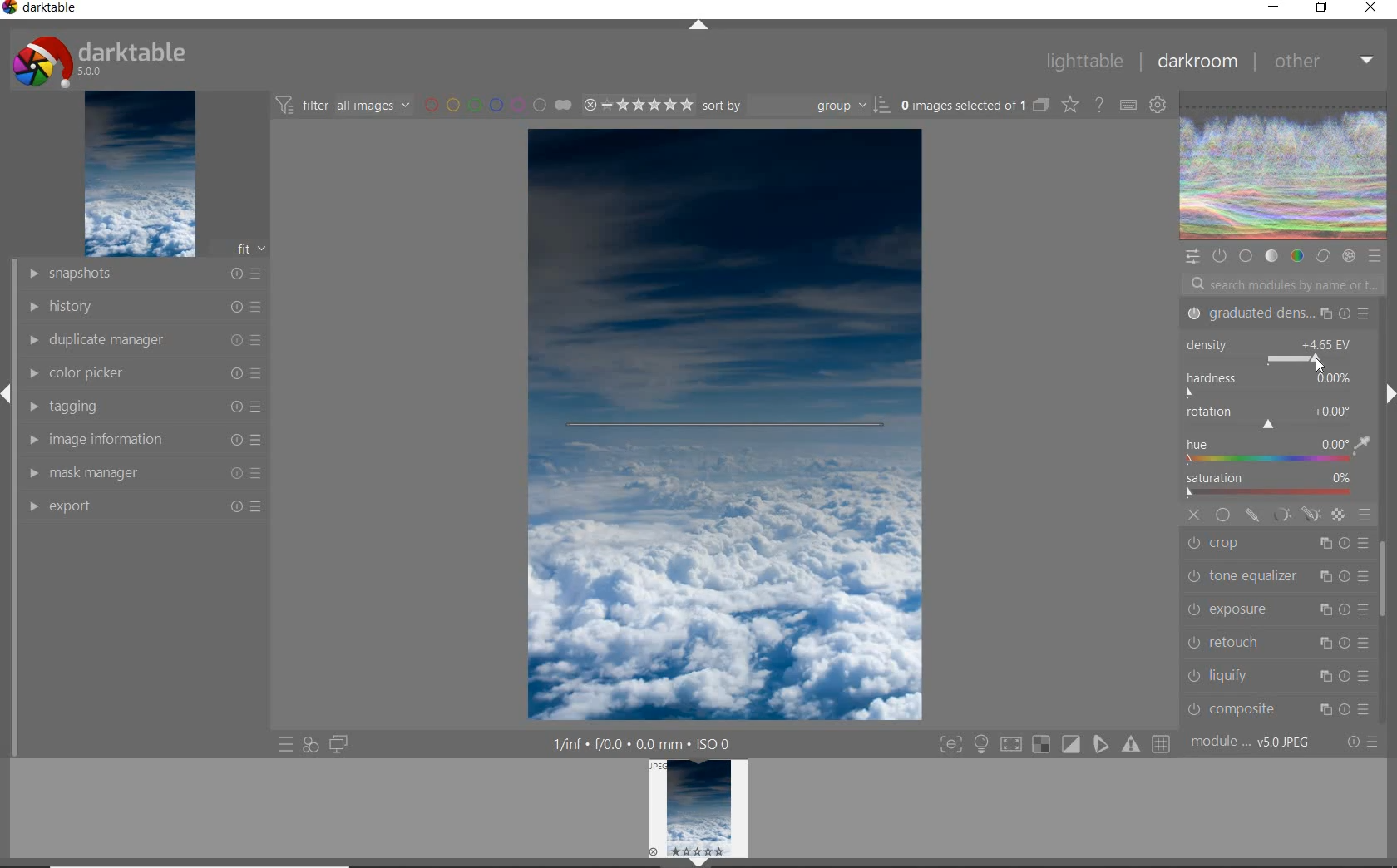 The height and width of the screenshot is (868, 1397). I want to click on hardness, so click(1272, 386).